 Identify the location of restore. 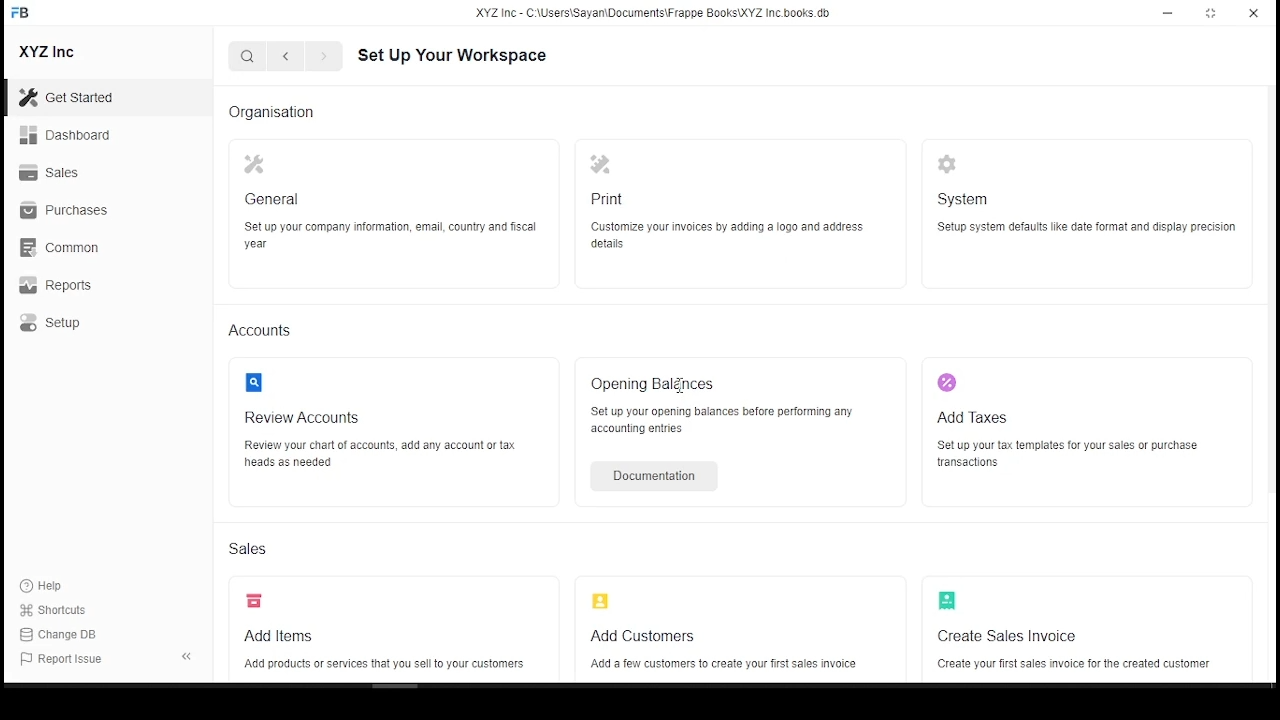
(1211, 14).